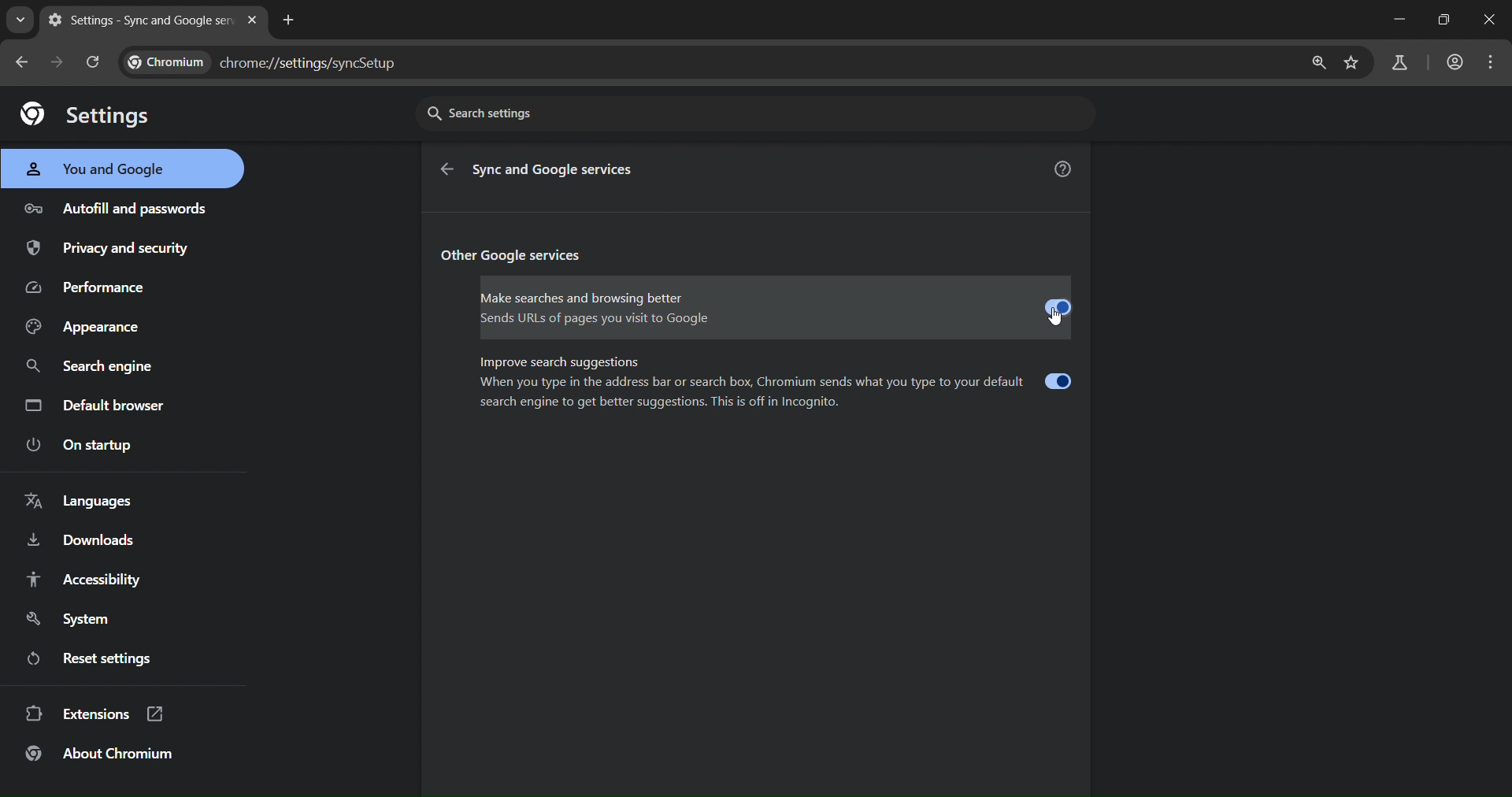  Describe the element at coordinates (77, 502) in the screenshot. I see `languages` at that location.